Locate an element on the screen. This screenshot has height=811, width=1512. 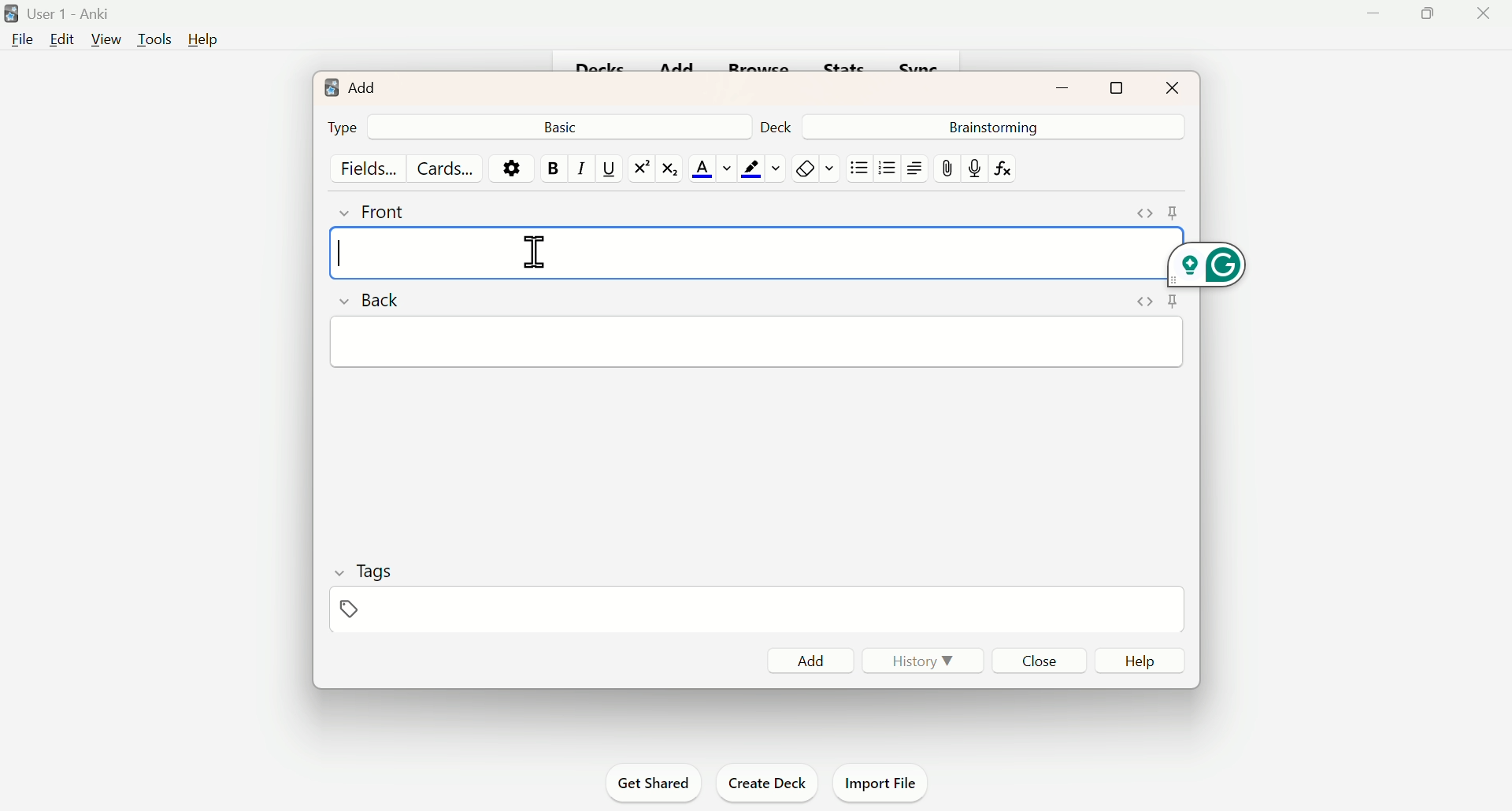
 is located at coordinates (563, 126).